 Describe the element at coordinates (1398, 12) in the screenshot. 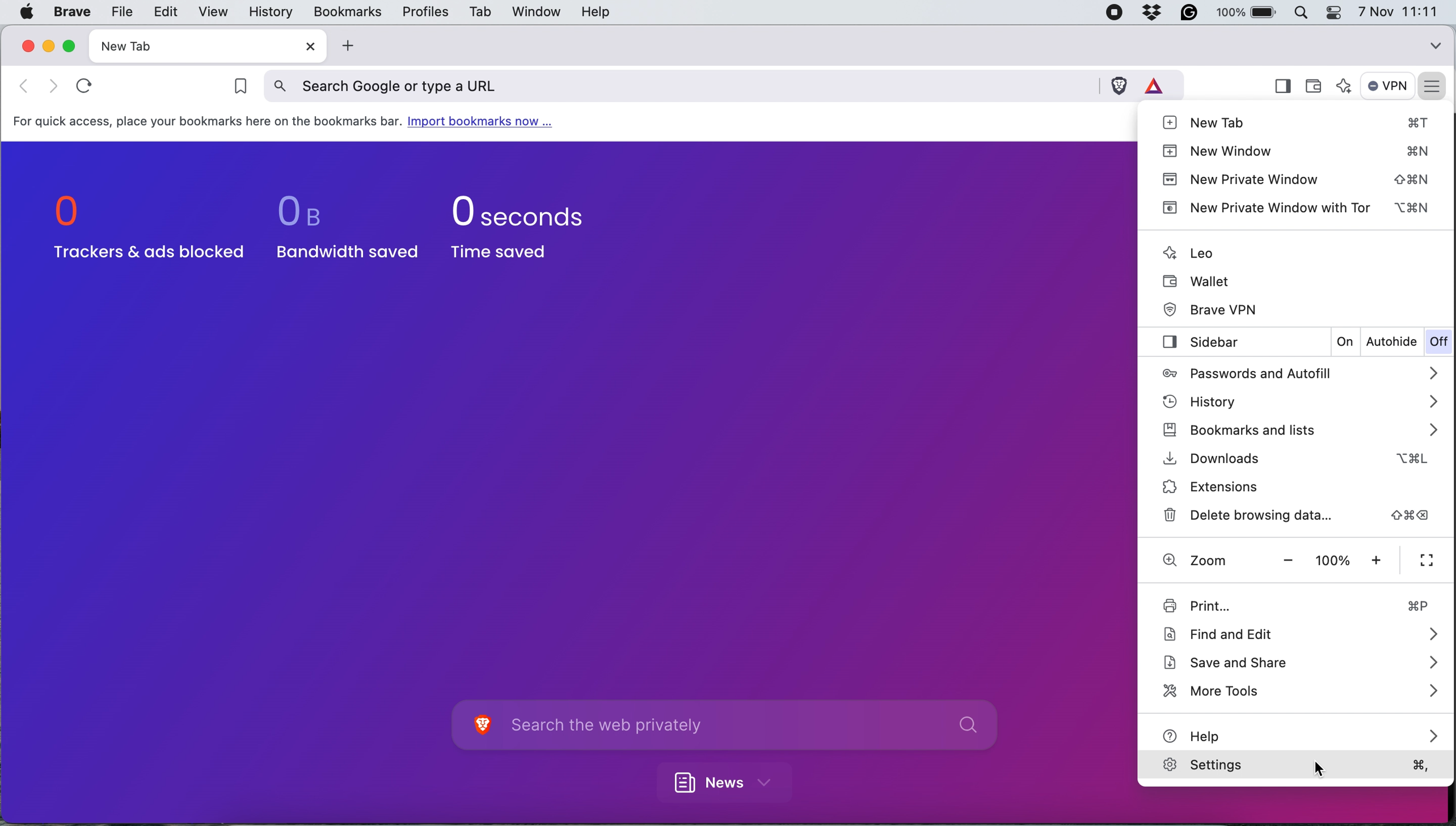

I see `7 nov 11:11` at that location.